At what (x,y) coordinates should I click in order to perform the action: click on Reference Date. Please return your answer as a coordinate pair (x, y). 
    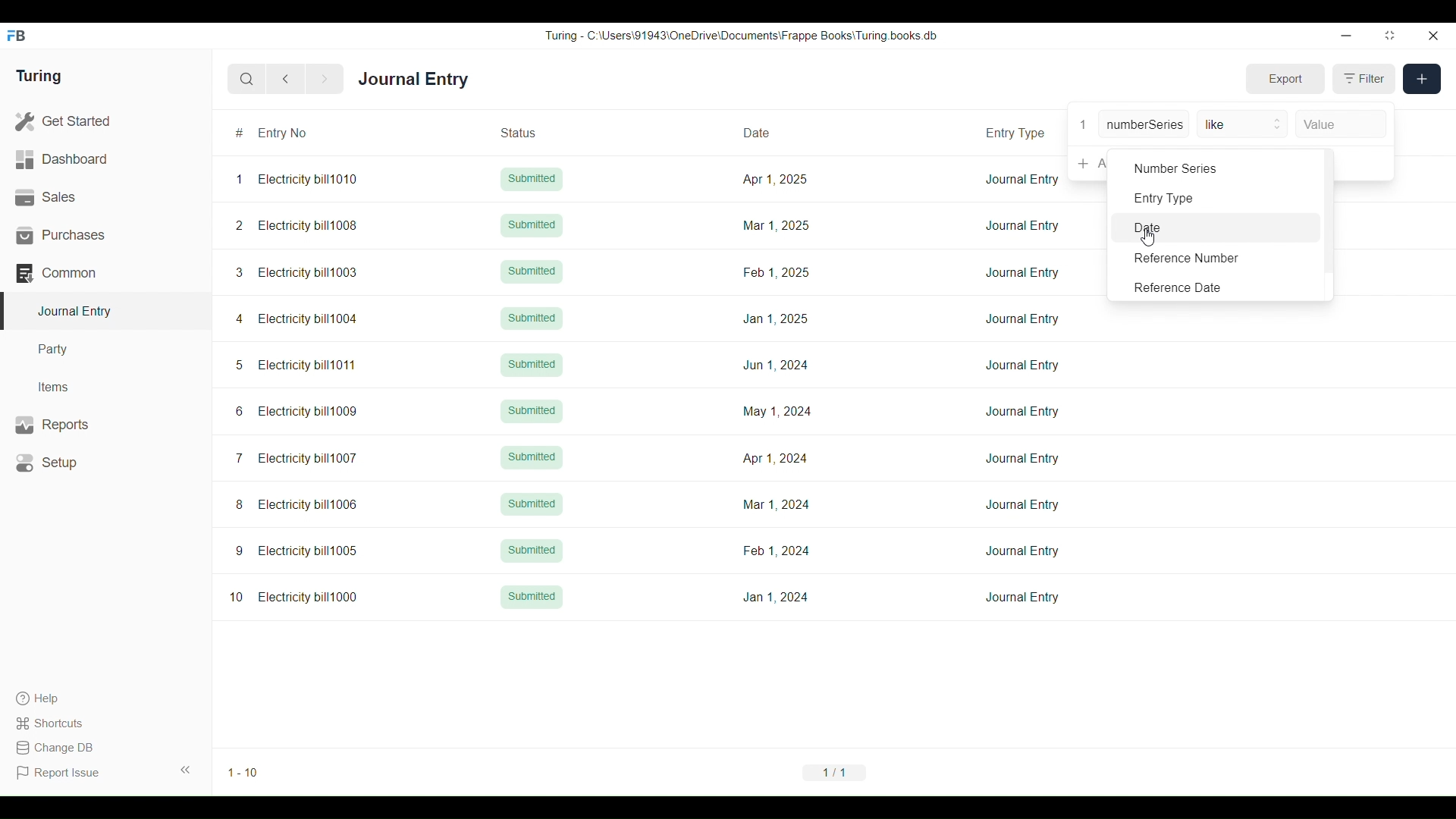
    Looking at the image, I should click on (1216, 287).